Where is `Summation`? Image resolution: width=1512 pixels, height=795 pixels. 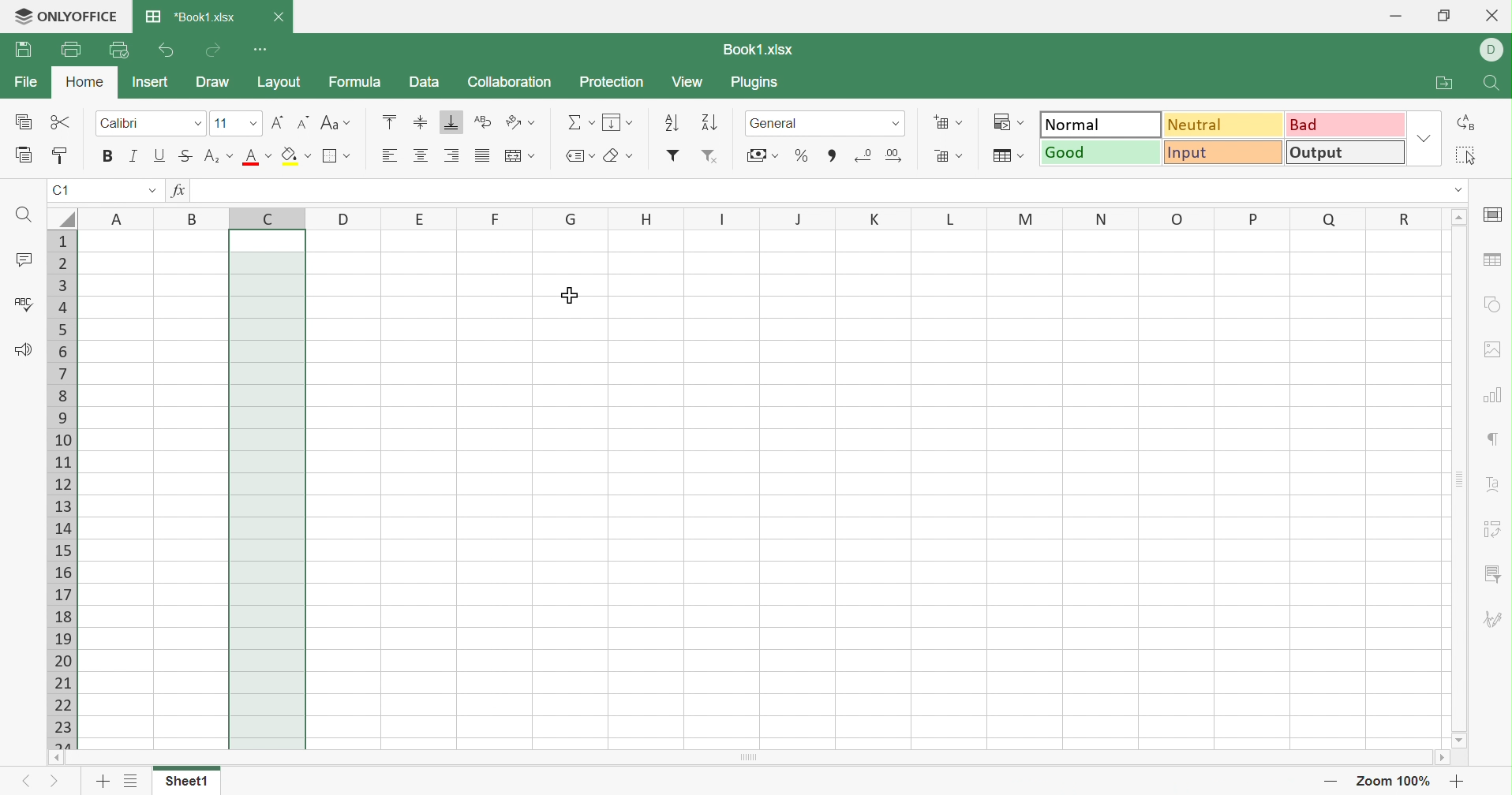
Summation is located at coordinates (574, 123).